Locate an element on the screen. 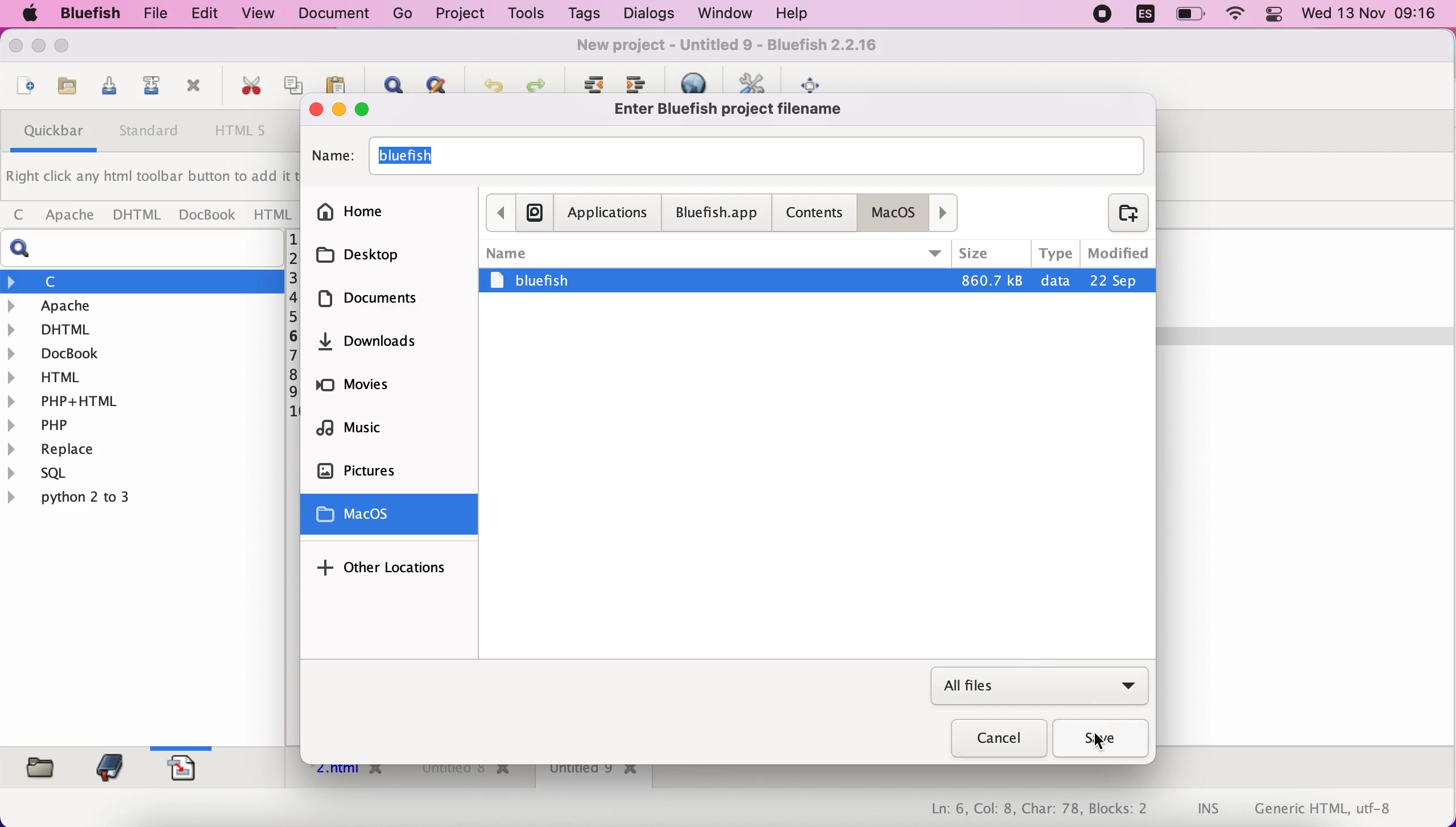  save file is located at coordinates (65, 87).